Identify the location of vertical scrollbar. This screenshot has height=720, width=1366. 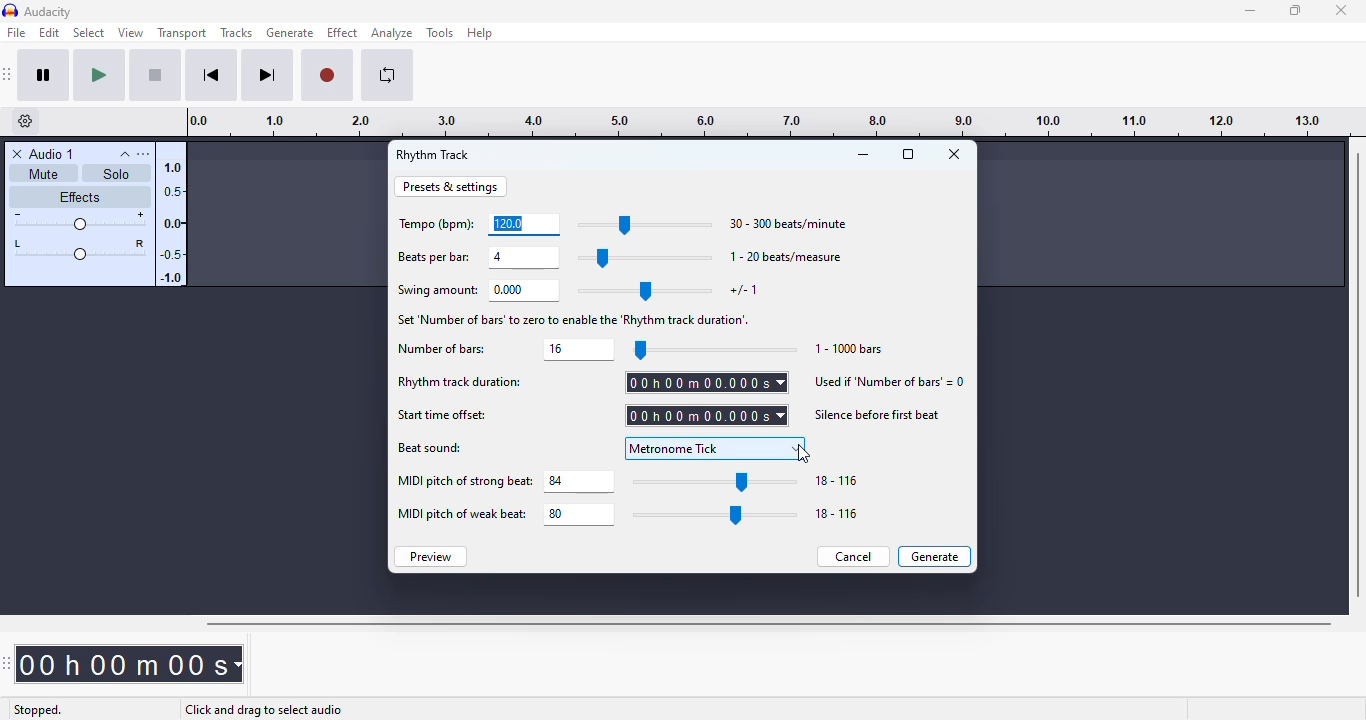
(1358, 373).